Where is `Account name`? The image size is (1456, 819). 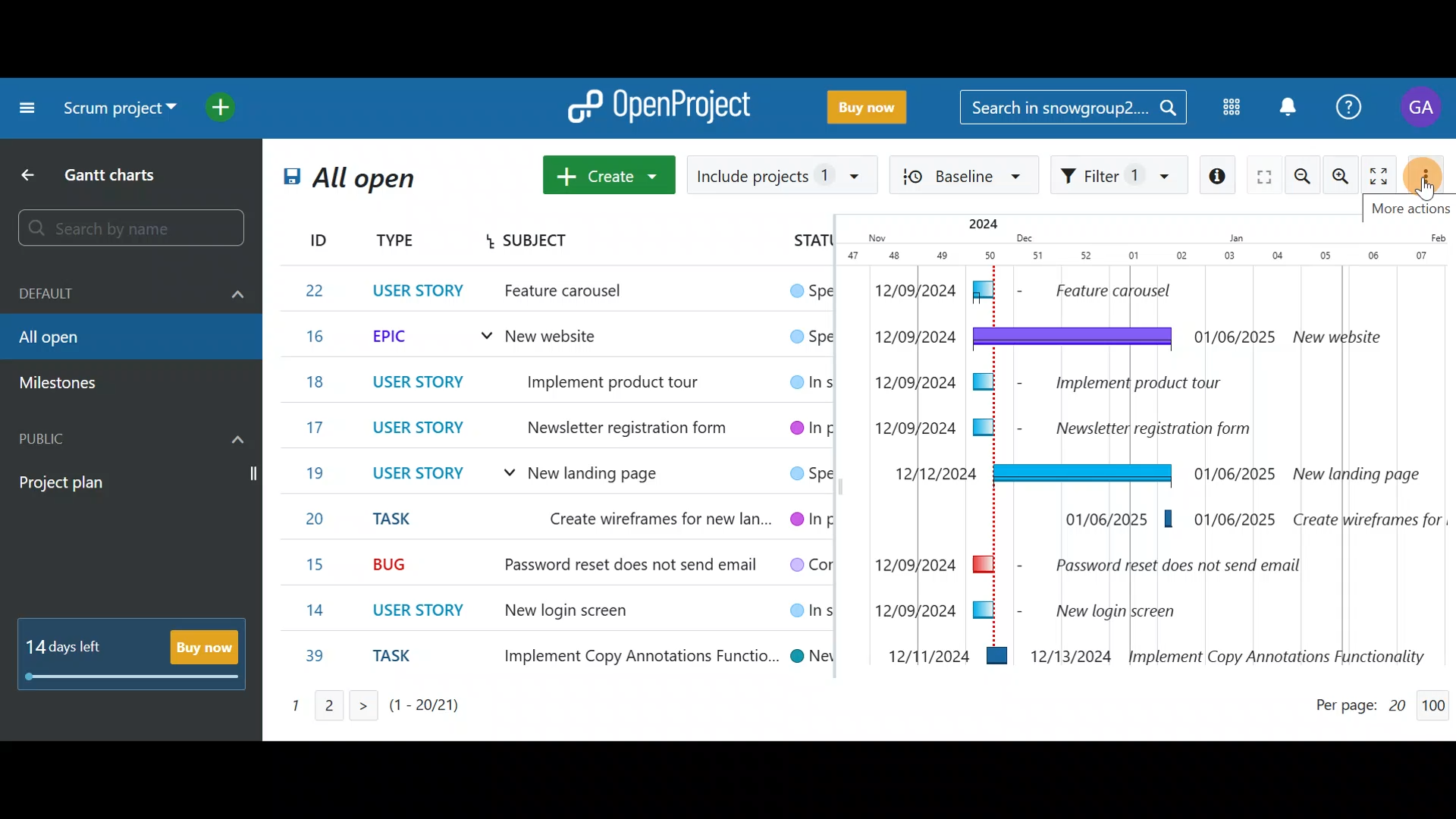 Account name is located at coordinates (1423, 111).